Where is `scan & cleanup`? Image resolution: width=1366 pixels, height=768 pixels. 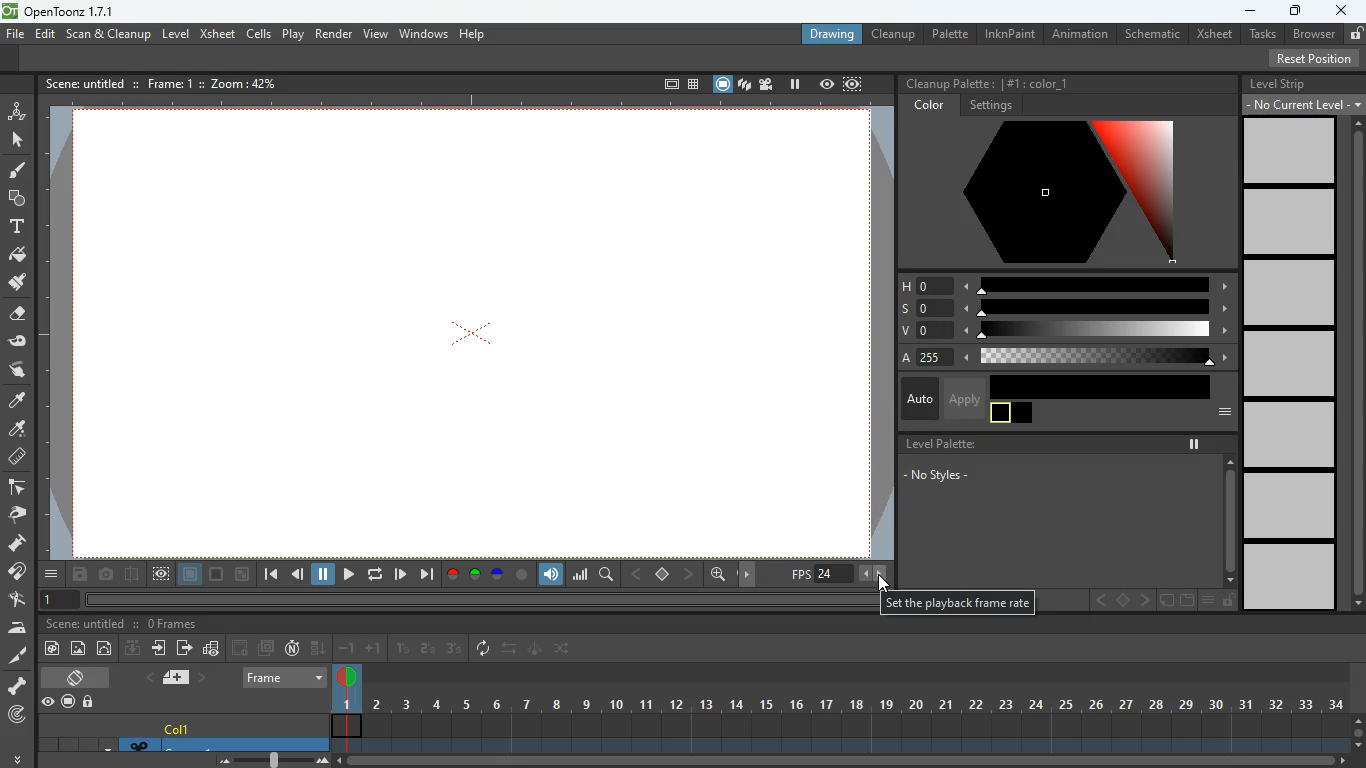
scan & cleanup is located at coordinates (109, 33).